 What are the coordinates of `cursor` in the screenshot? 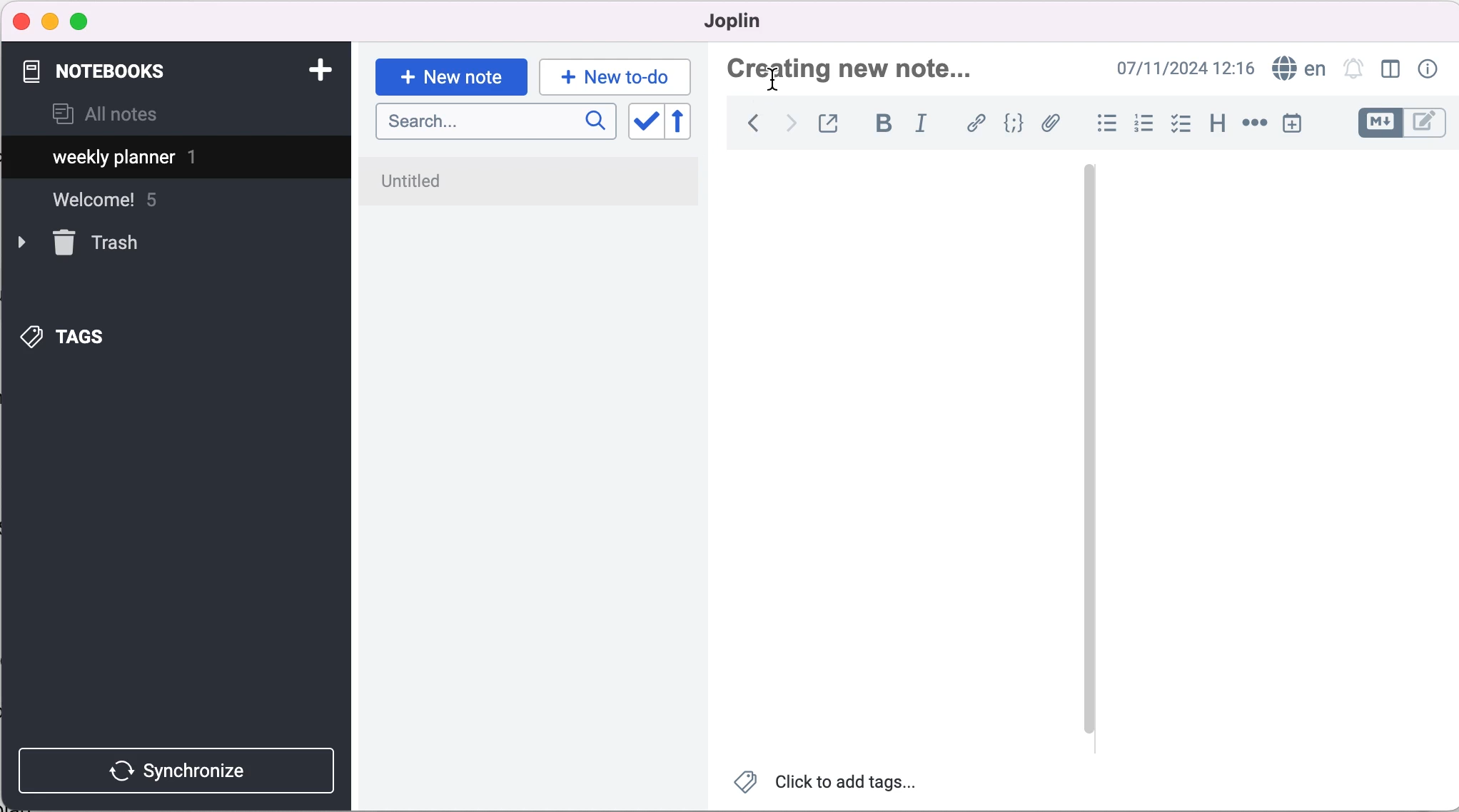 It's located at (774, 80).